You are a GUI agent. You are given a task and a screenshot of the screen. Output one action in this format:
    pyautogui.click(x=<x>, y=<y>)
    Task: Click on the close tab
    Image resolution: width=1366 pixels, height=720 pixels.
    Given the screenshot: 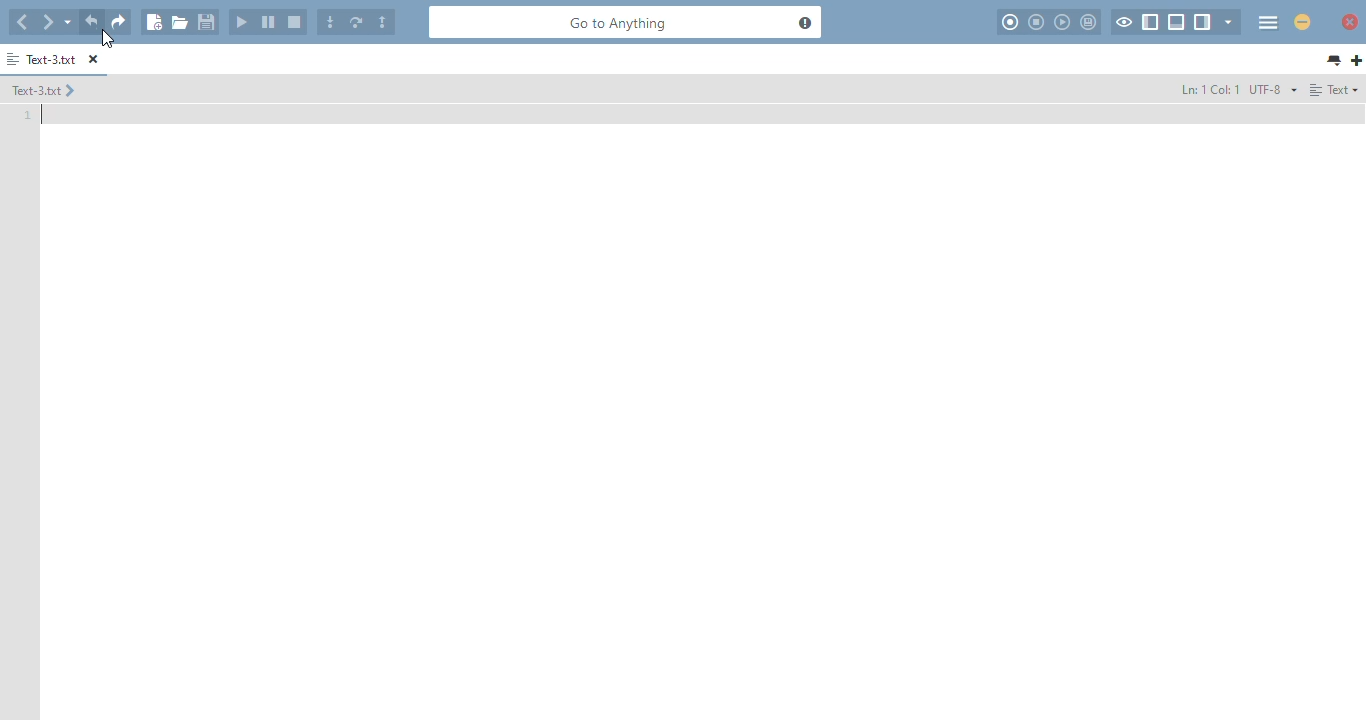 What is the action you would take?
    pyautogui.click(x=107, y=60)
    